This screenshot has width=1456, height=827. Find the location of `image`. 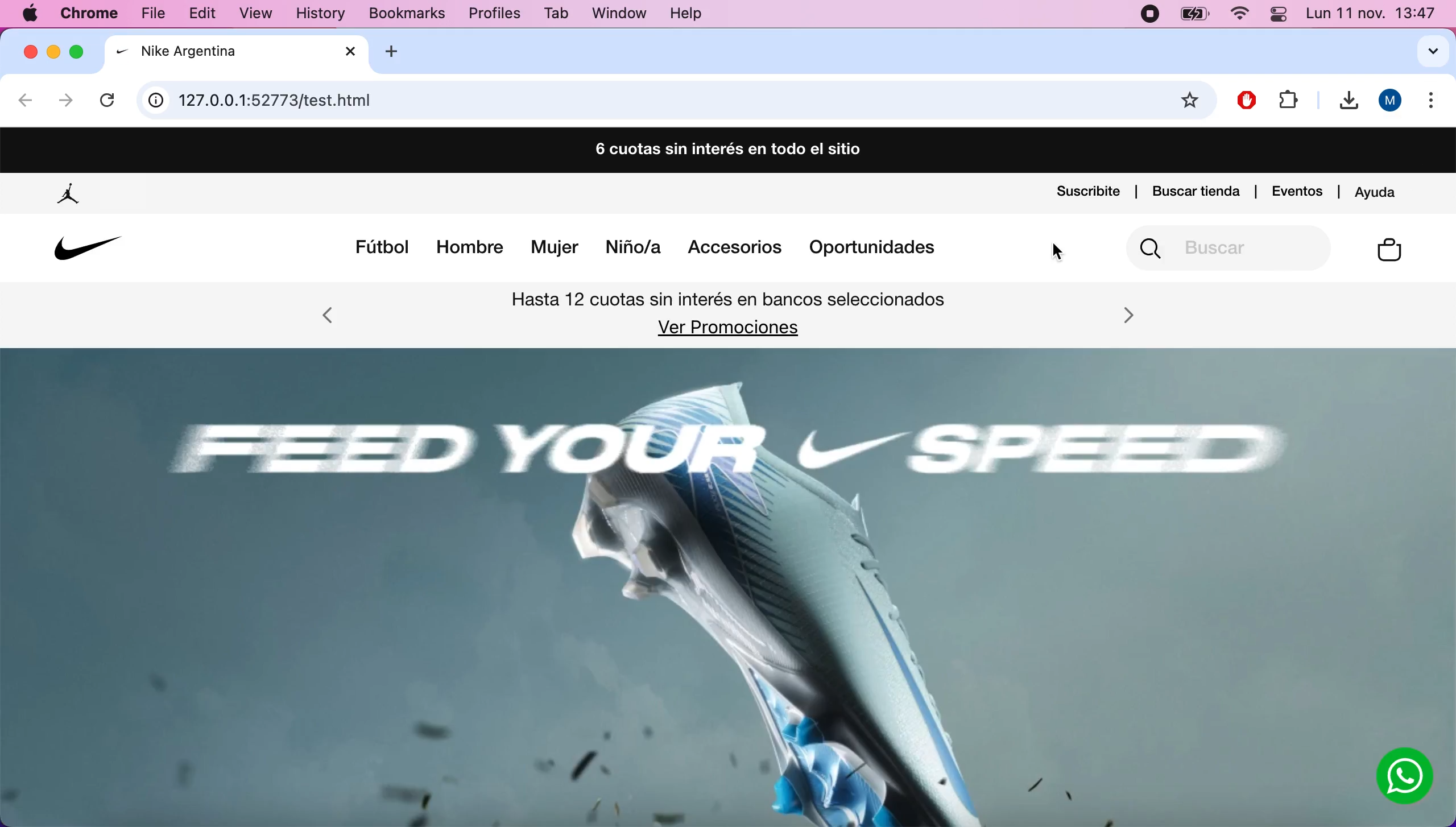

image is located at coordinates (708, 588).